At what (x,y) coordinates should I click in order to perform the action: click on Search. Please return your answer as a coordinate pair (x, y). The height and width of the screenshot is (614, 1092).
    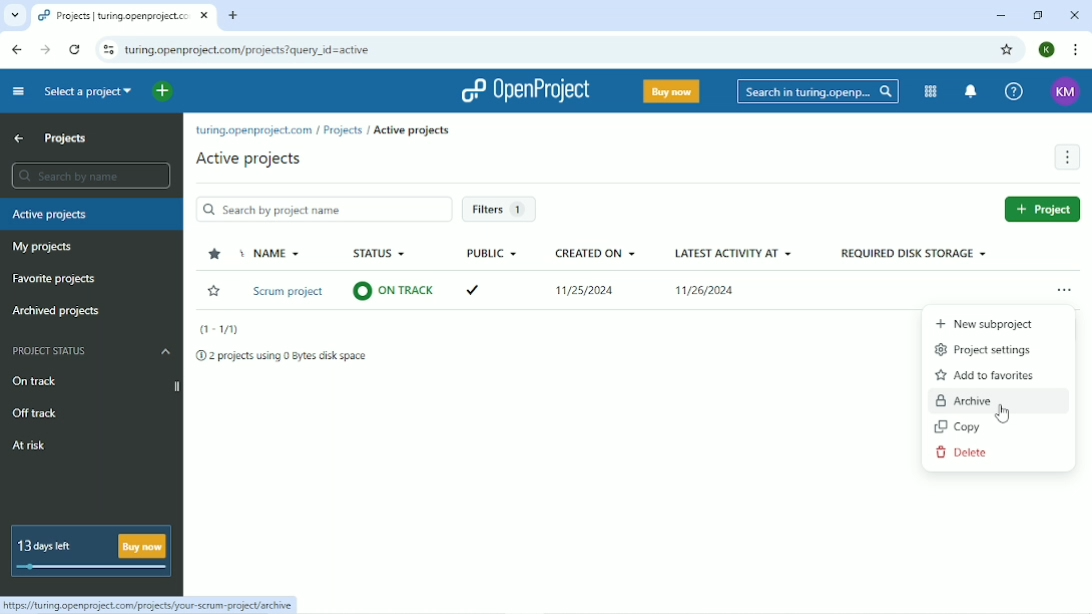
    Looking at the image, I should click on (816, 91).